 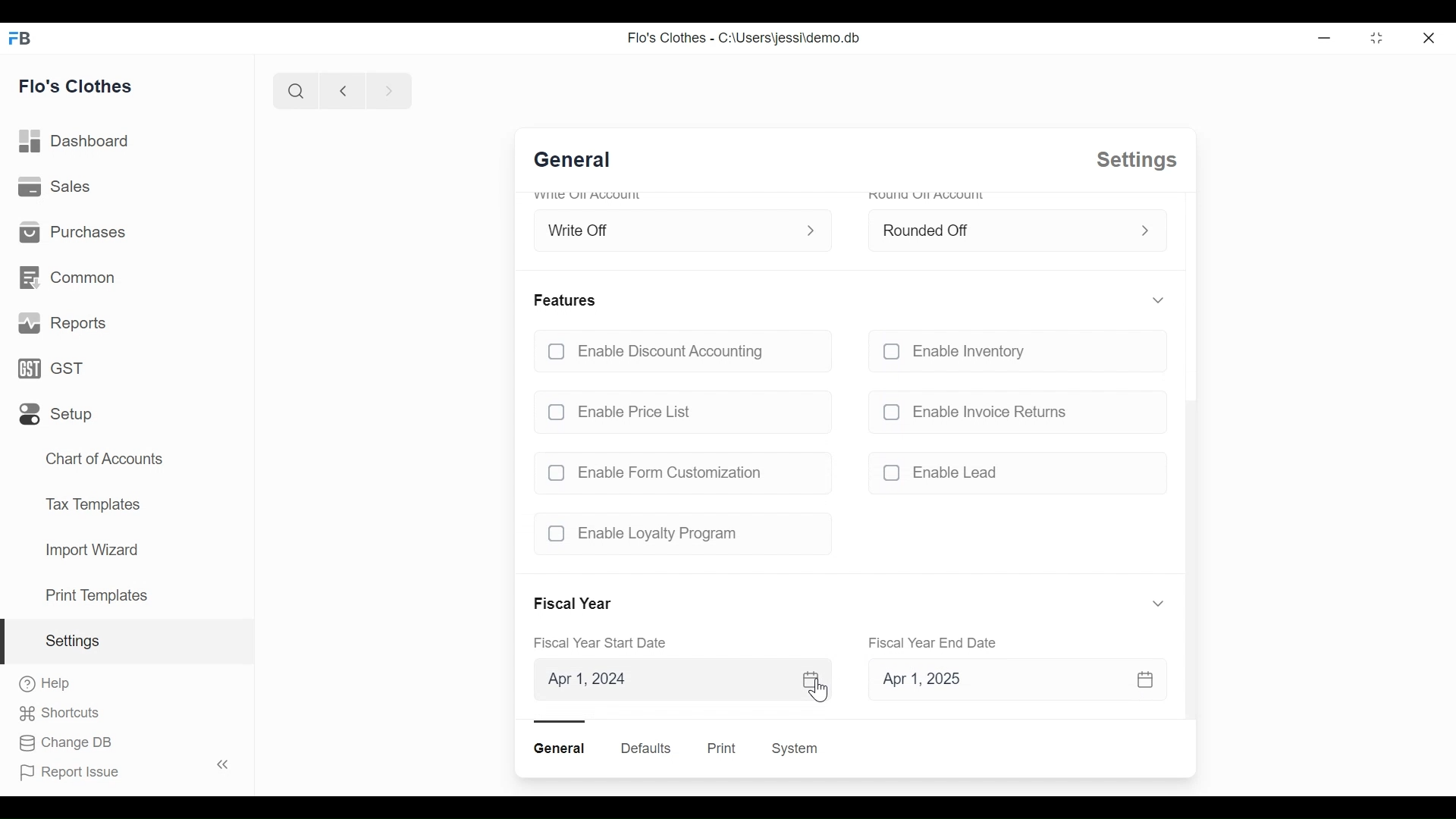 What do you see at coordinates (606, 644) in the screenshot?
I see `Fiscal Year Start Date` at bounding box center [606, 644].